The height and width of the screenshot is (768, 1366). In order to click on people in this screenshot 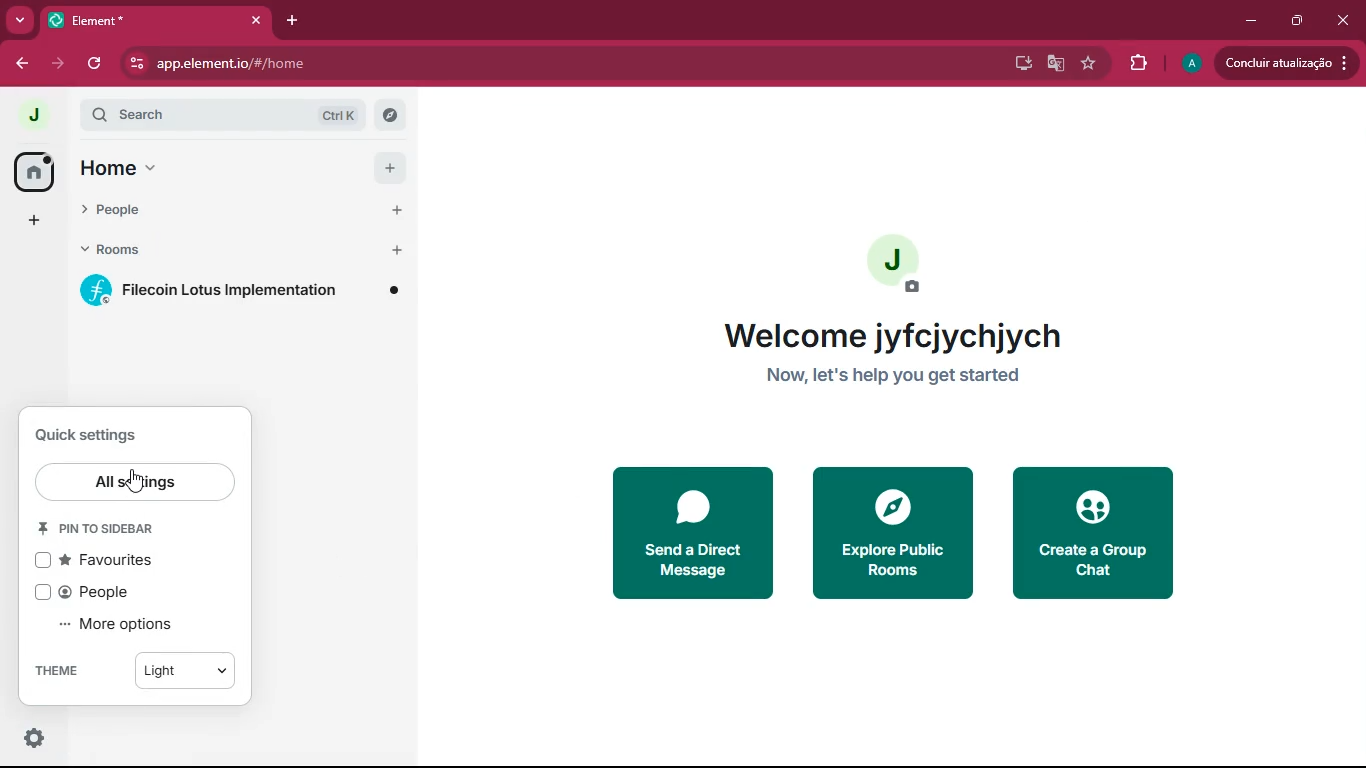, I will do `click(240, 213)`.